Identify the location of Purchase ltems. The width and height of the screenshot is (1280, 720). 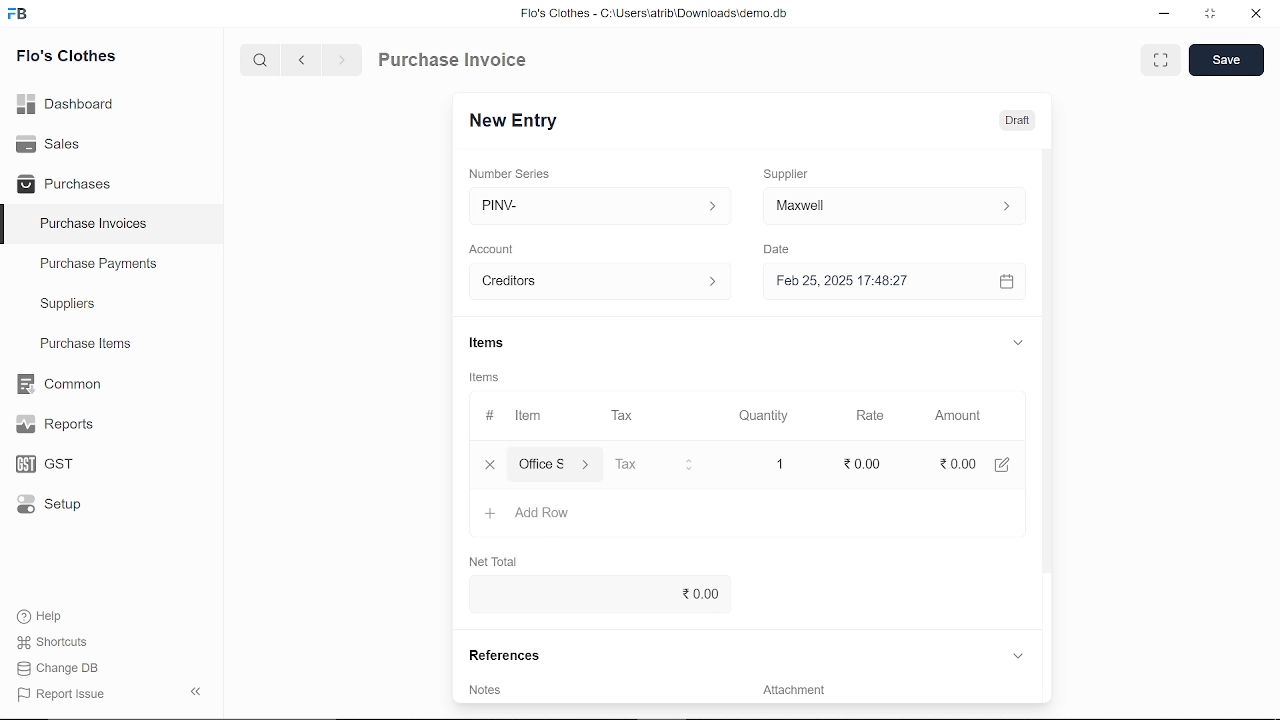
(83, 345).